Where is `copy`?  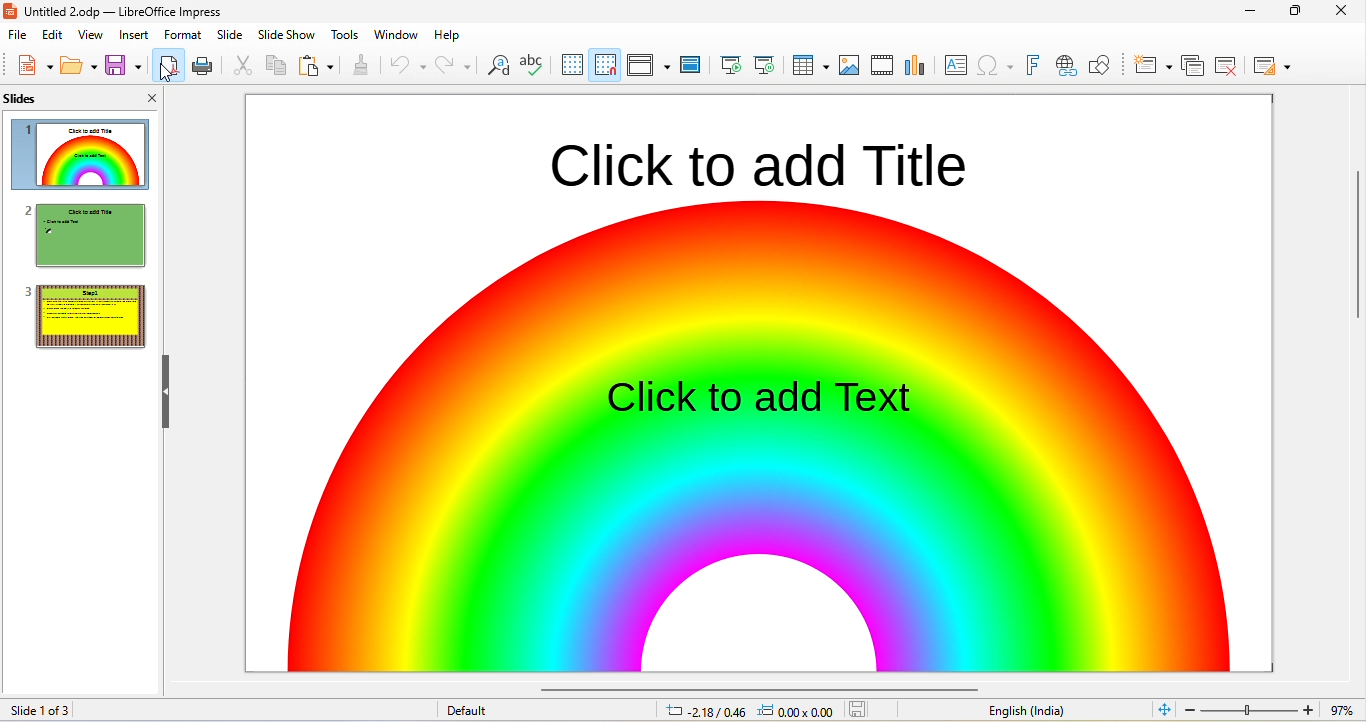
copy is located at coordinates (277, 65).